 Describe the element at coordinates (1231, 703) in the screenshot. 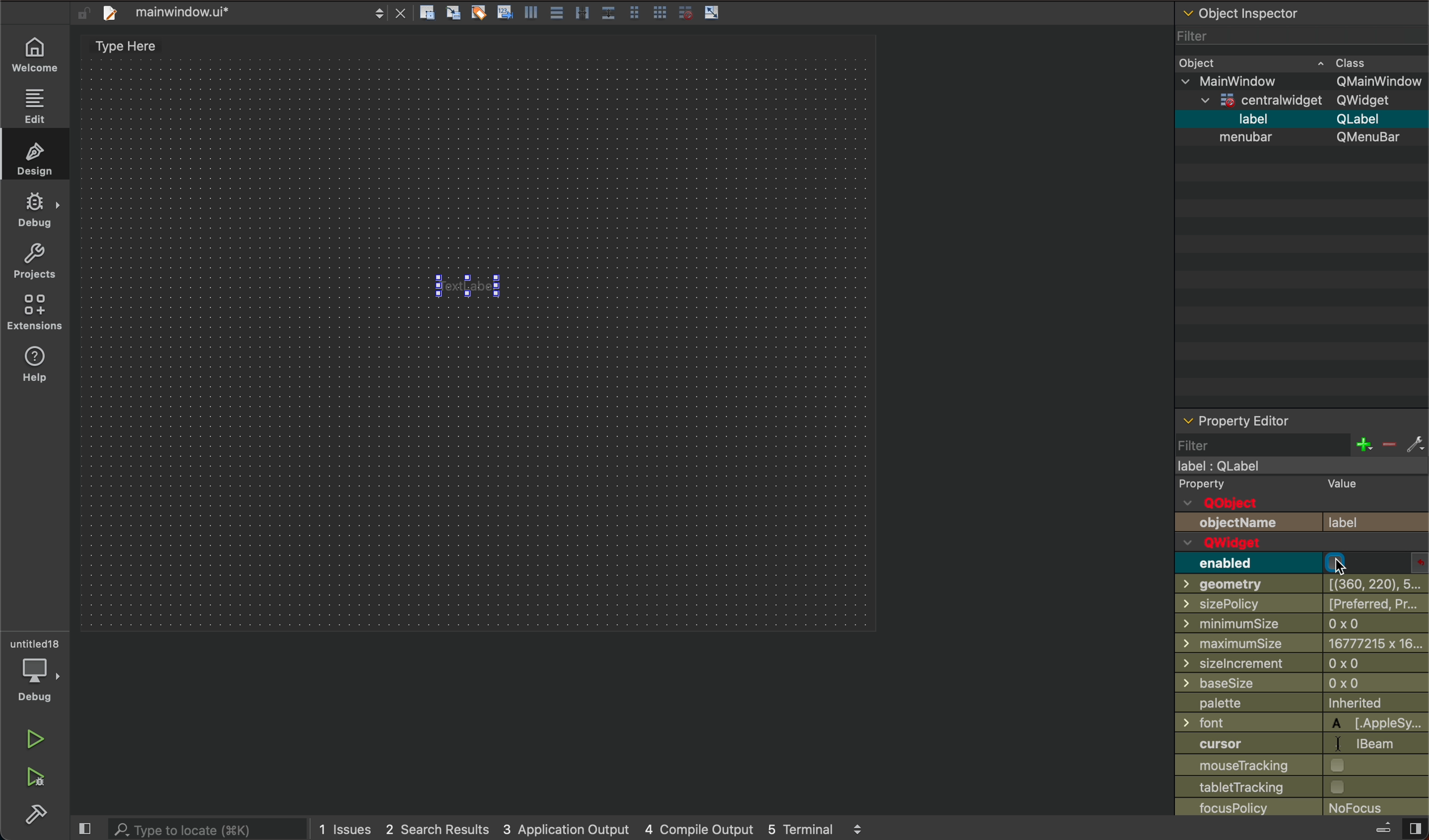

I see `palette` at that location.